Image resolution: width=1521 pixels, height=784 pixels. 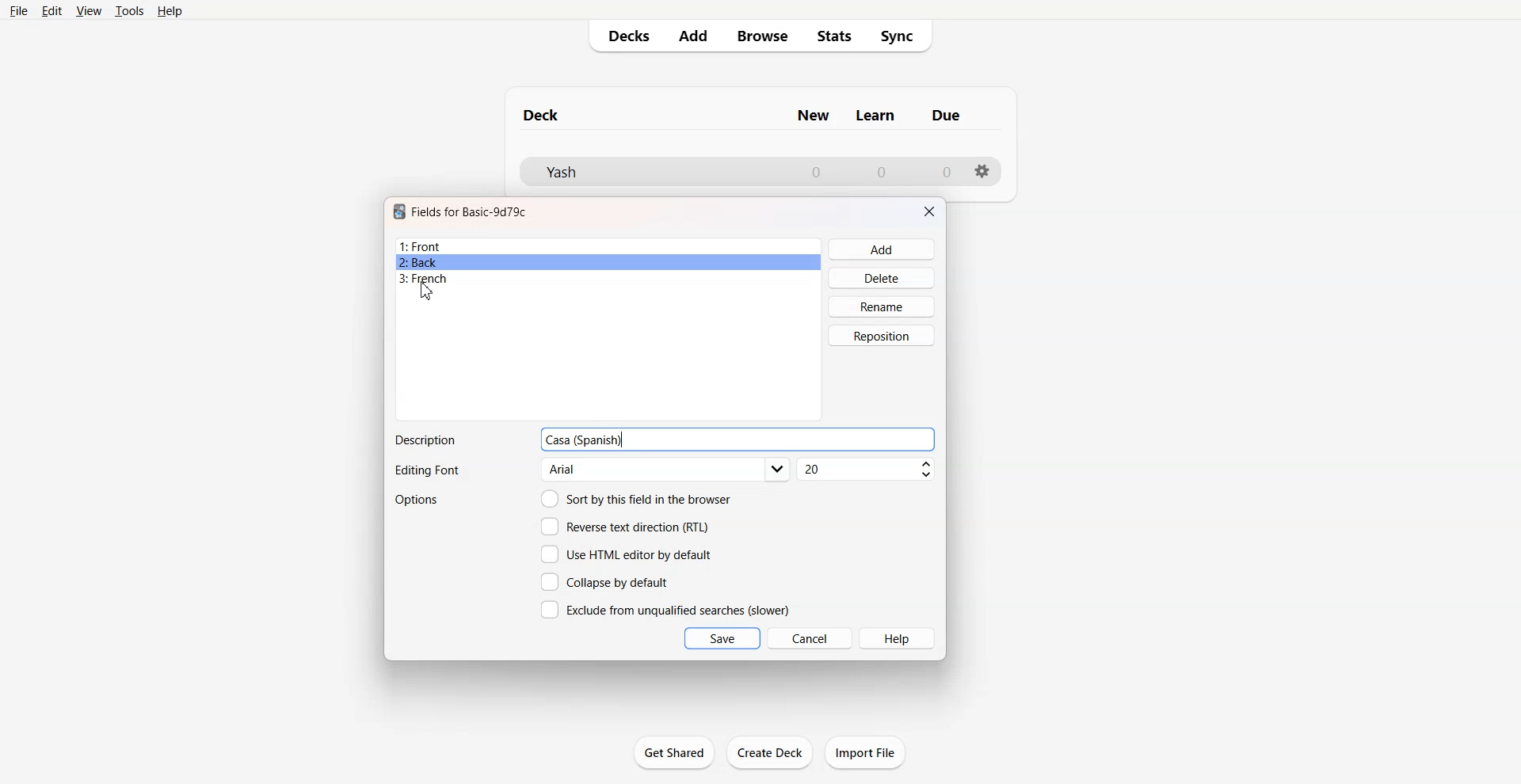 I want to click on View, so click(x=90, y=10).